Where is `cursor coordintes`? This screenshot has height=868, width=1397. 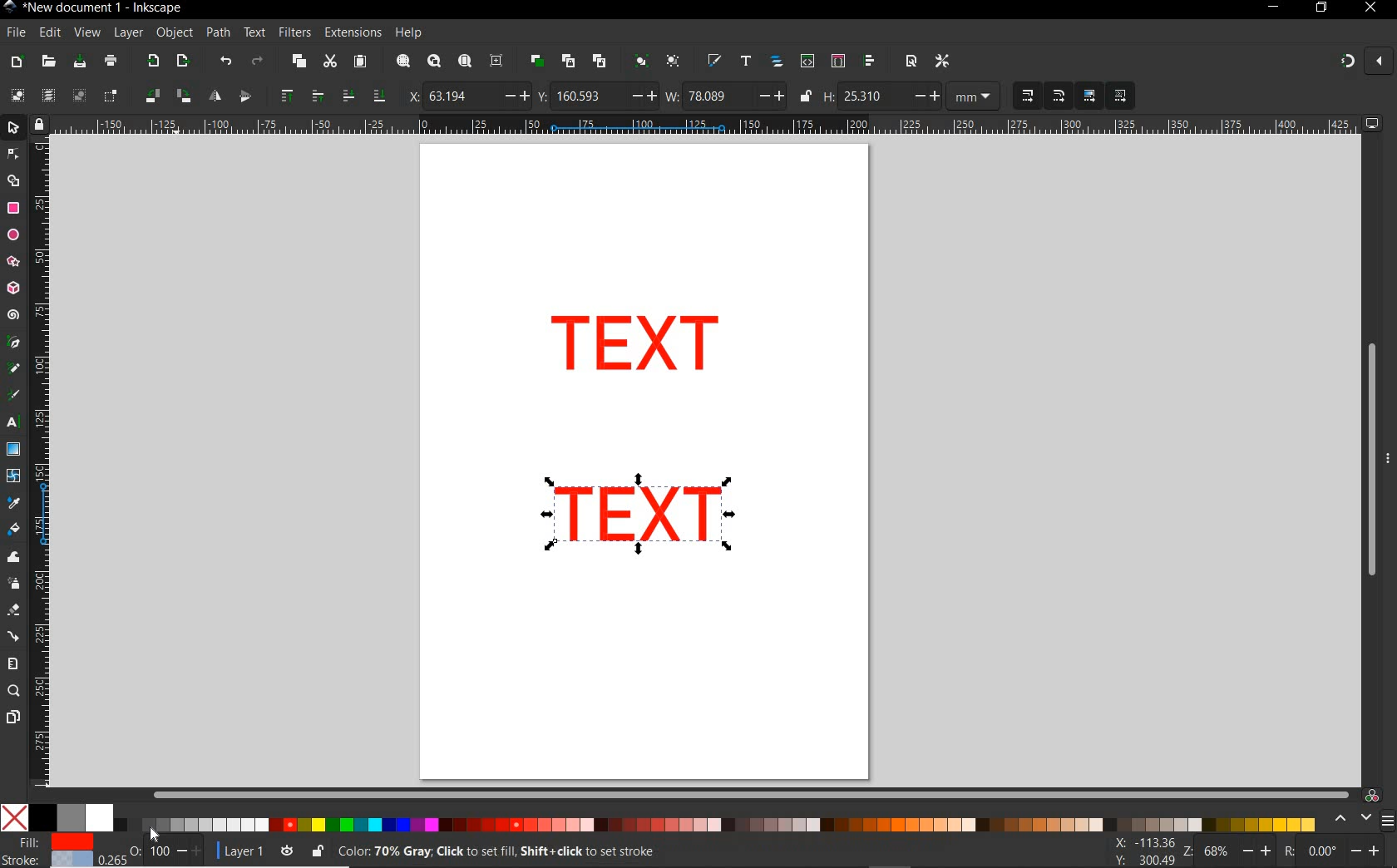 cursor coordintes is located at coordinates (1143, 852).